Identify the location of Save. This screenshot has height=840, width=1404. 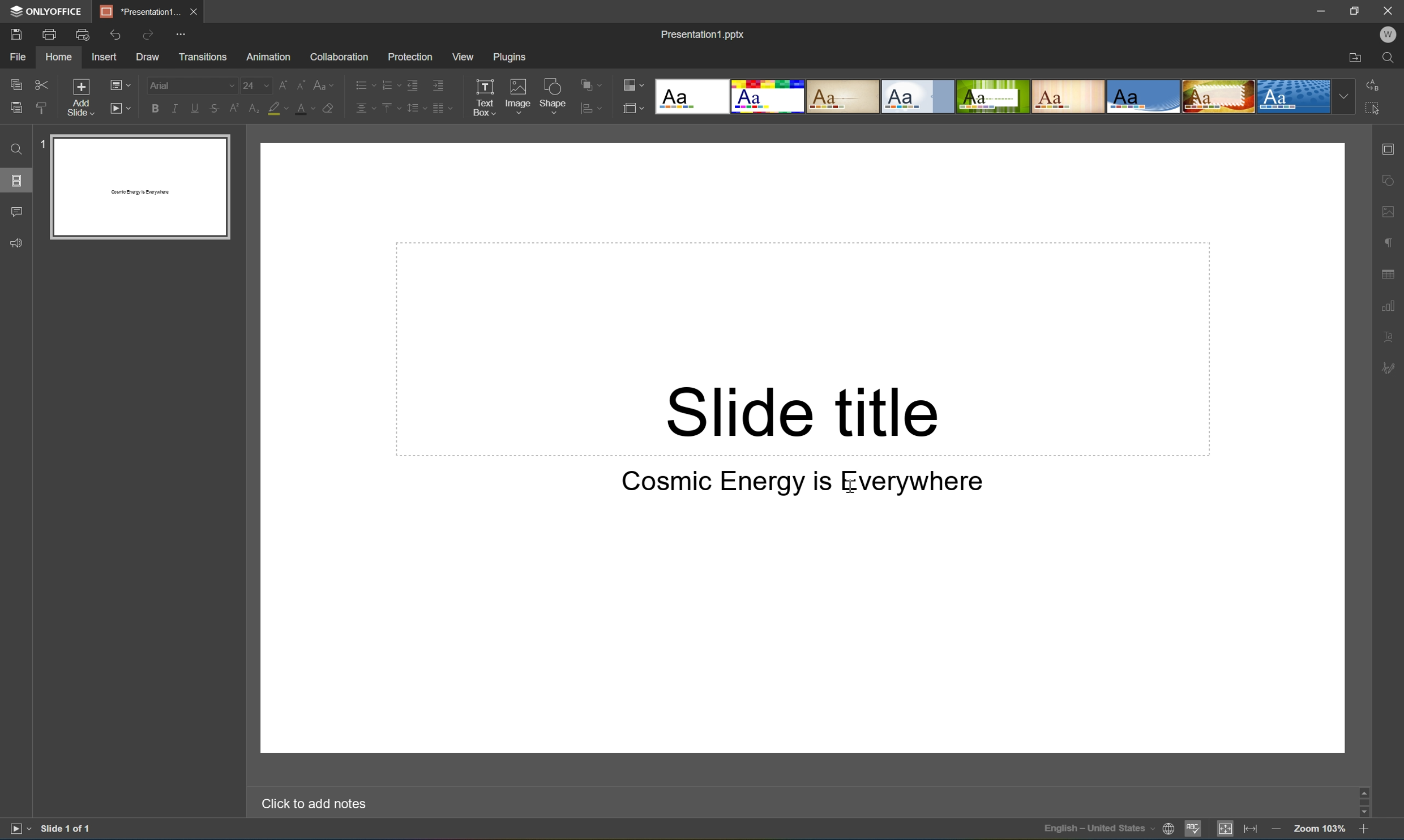
(16, 34).